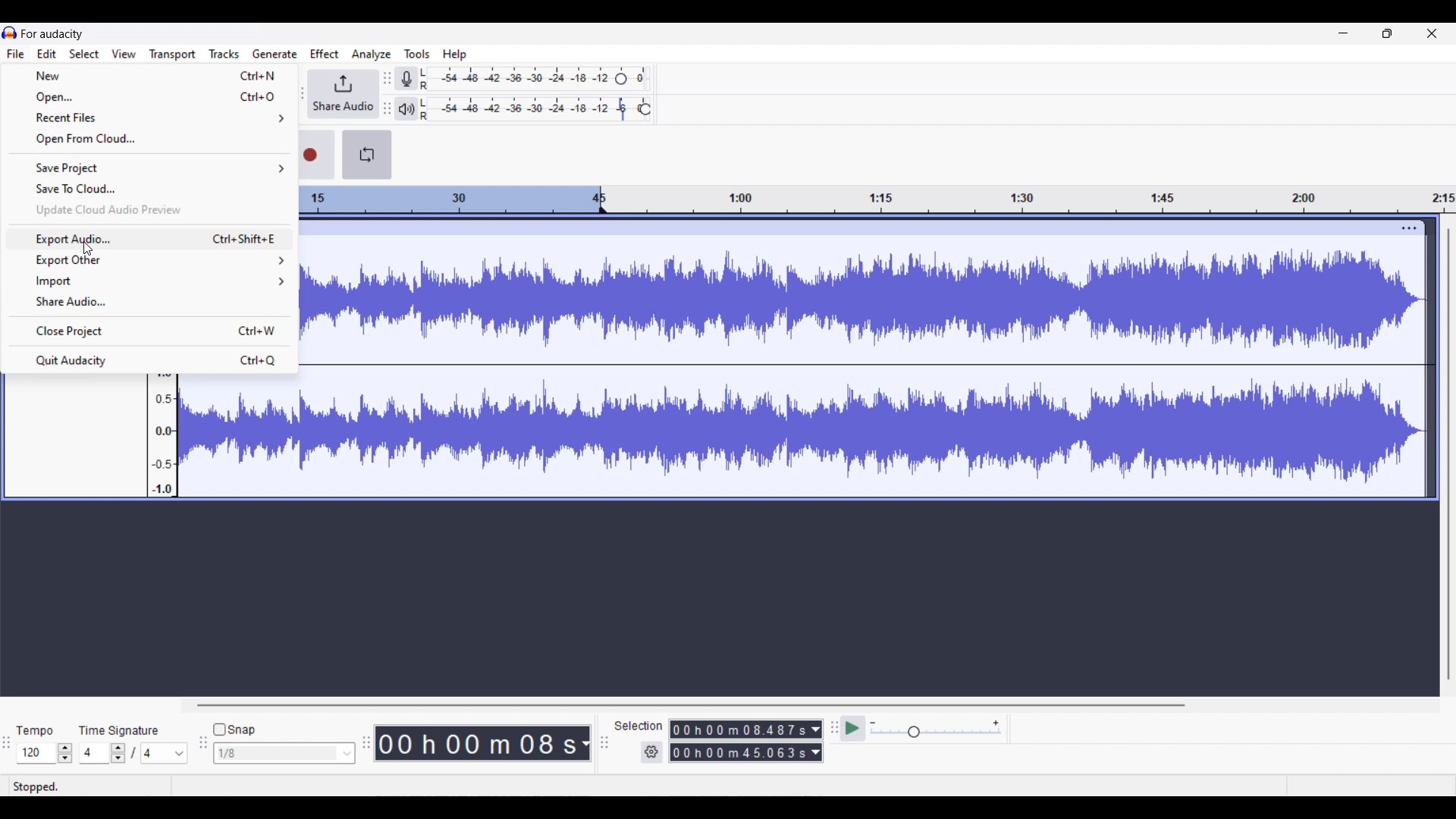 The height and width of the screenshot is (819, 1456). What do you see at coordinates (234, 730) in the screenshot?
I see `Toggle for snap` at bounding box center [234, 730].